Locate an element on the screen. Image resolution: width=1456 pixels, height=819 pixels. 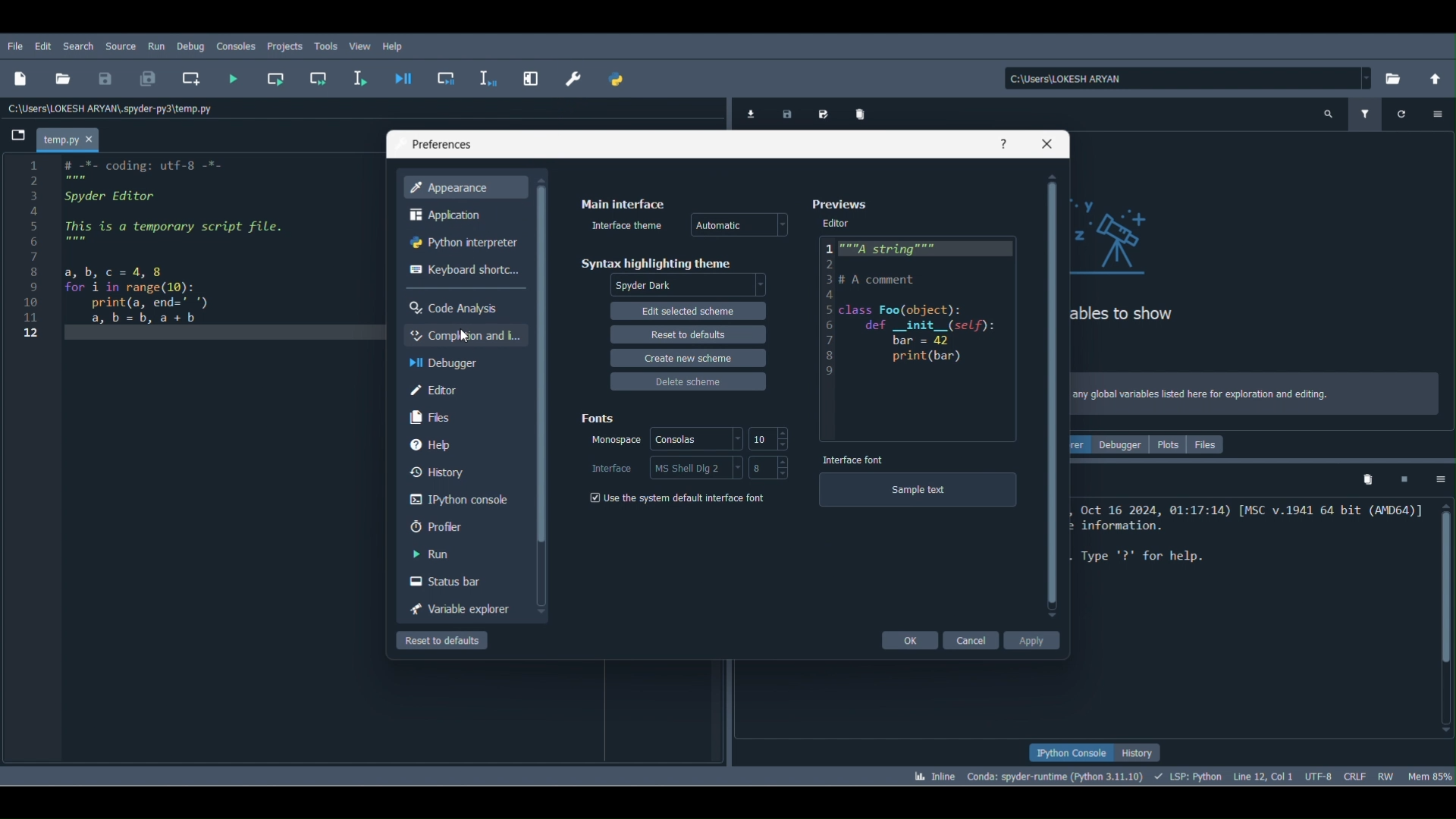
Encoding is located at coordinates (1318, 774).